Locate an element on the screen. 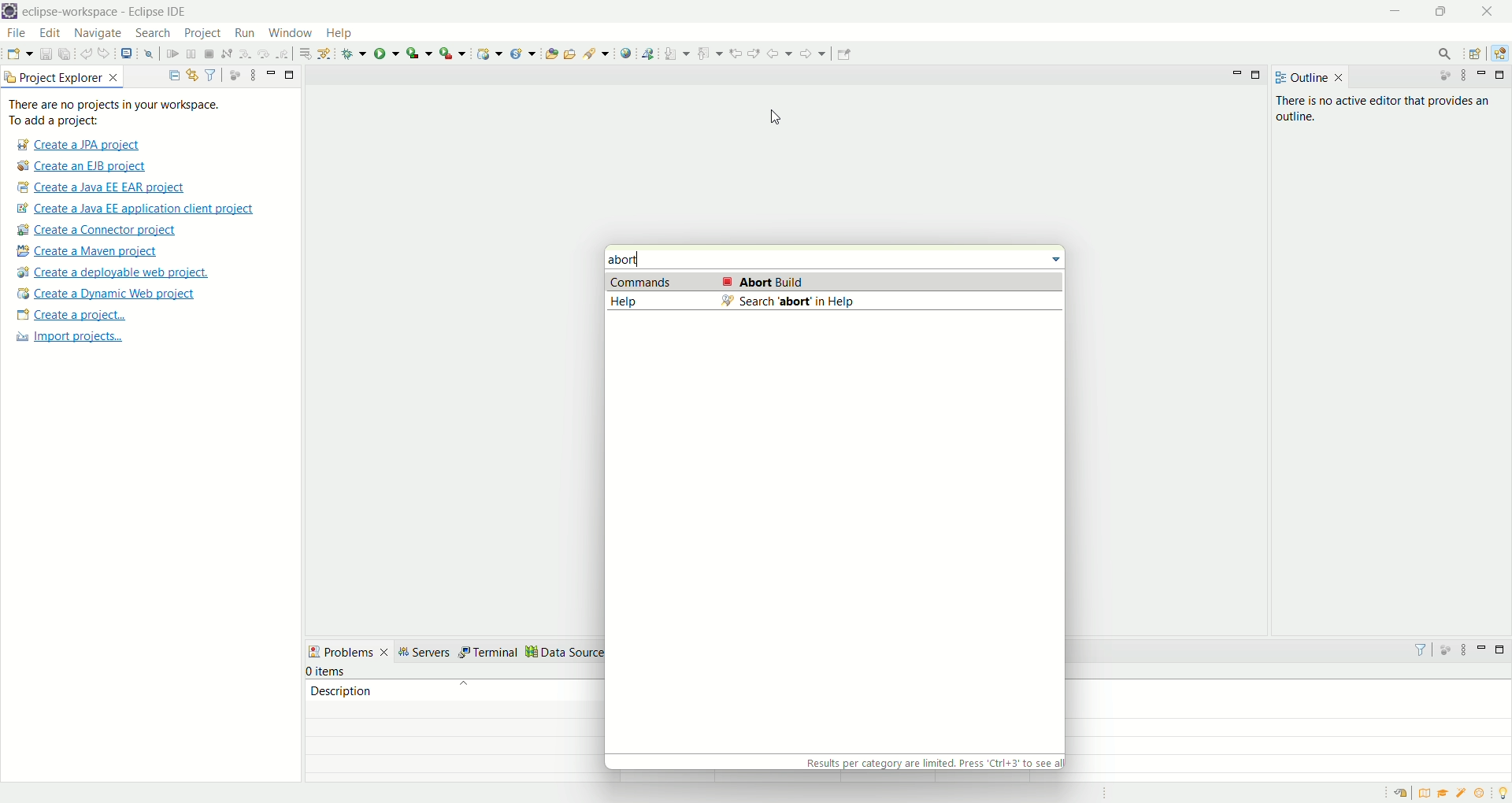 Image resolution: width=1512 pixels, height=803 pixels. create a dynamic web project is located at coordinates (106, 295).